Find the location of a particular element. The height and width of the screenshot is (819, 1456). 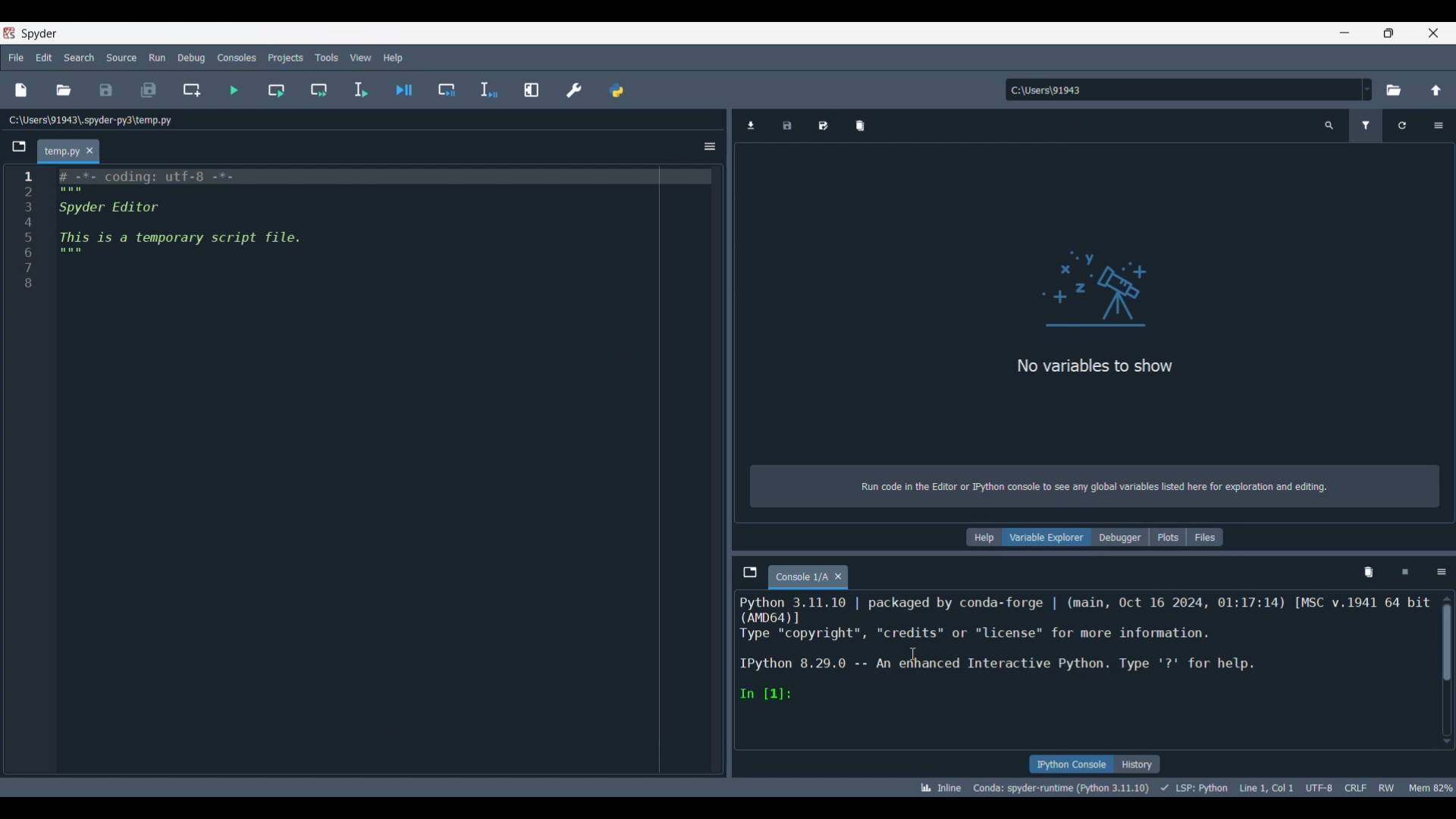

Files is located at coordinates (1205, 537).